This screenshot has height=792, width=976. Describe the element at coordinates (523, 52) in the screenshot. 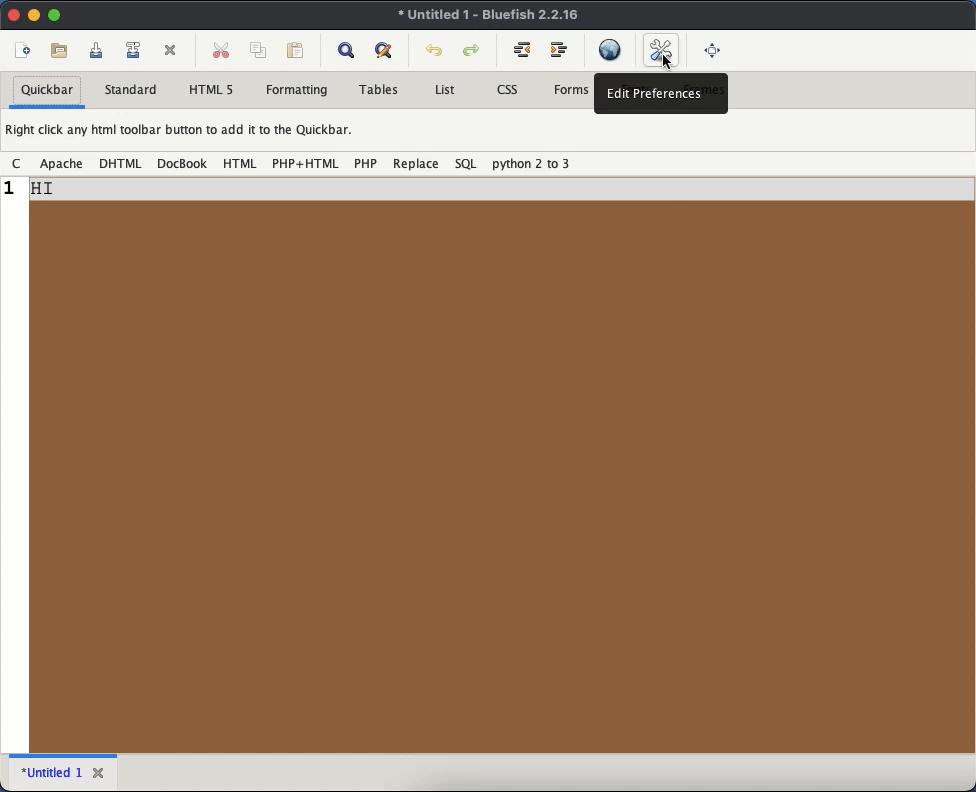

I see `unindent` at that location.